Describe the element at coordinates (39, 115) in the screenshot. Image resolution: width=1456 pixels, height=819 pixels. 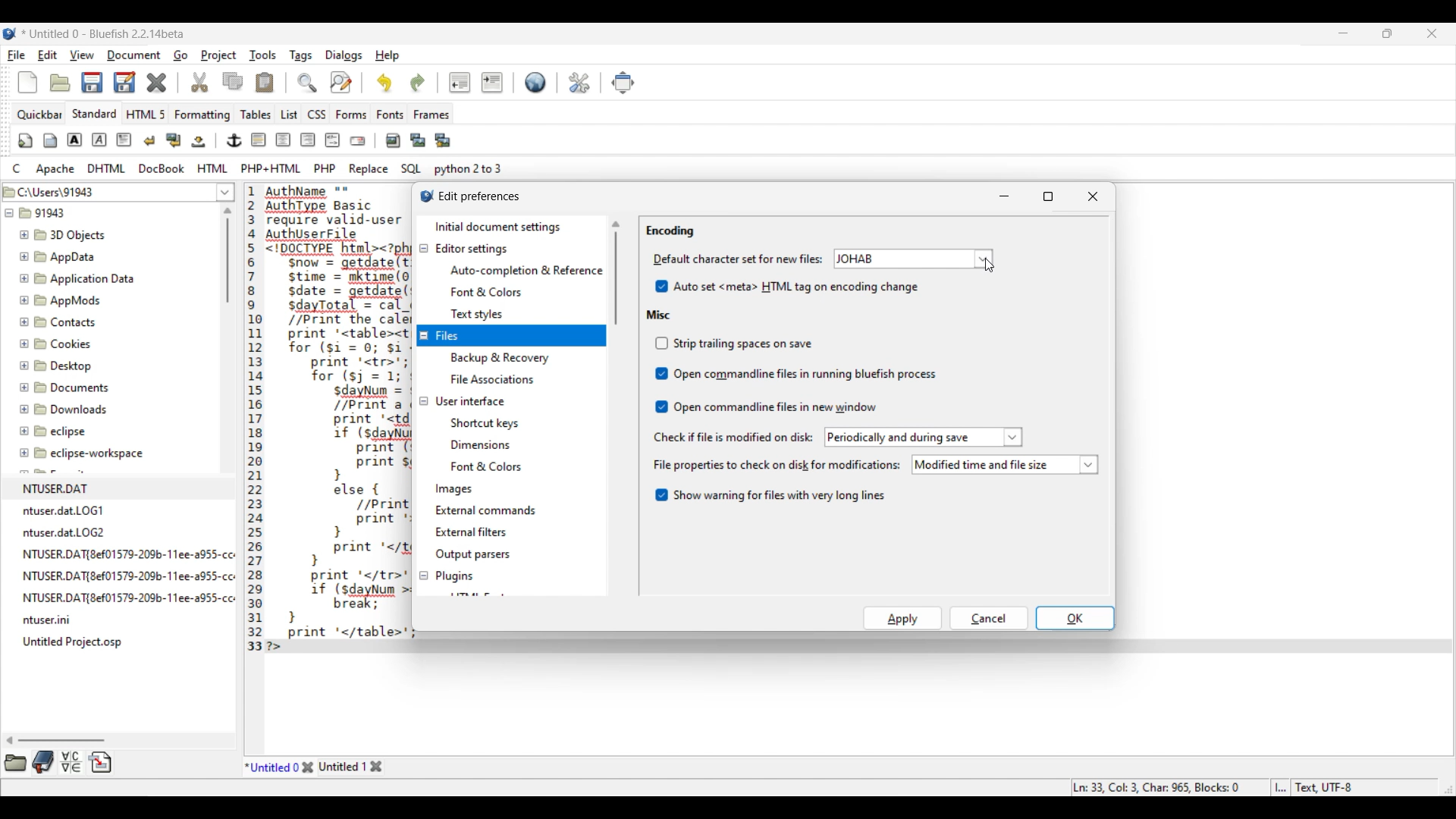
I see `Quickbar` at that location.